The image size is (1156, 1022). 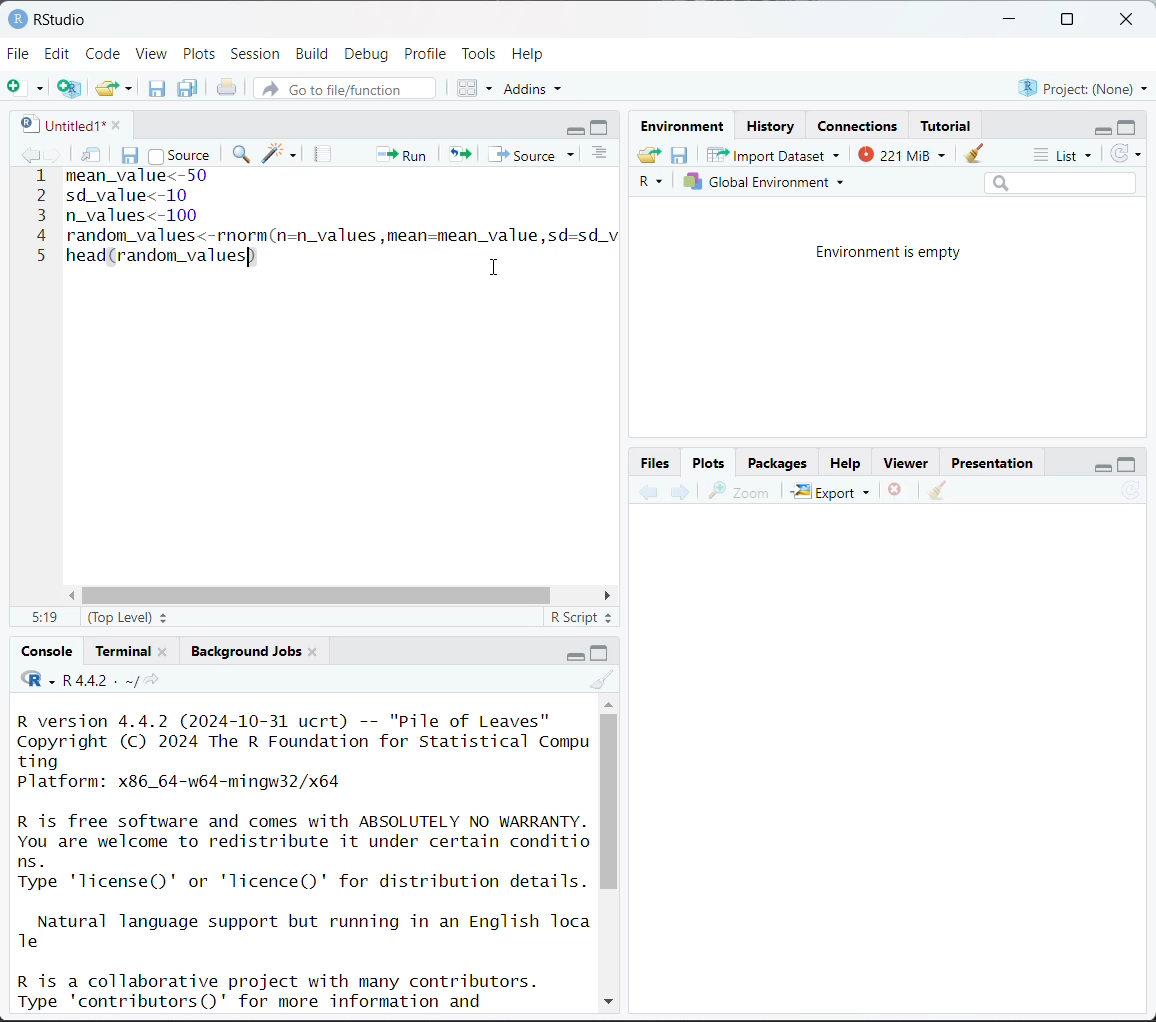 I want to click on open an existing file, so click(x=107, y=85).